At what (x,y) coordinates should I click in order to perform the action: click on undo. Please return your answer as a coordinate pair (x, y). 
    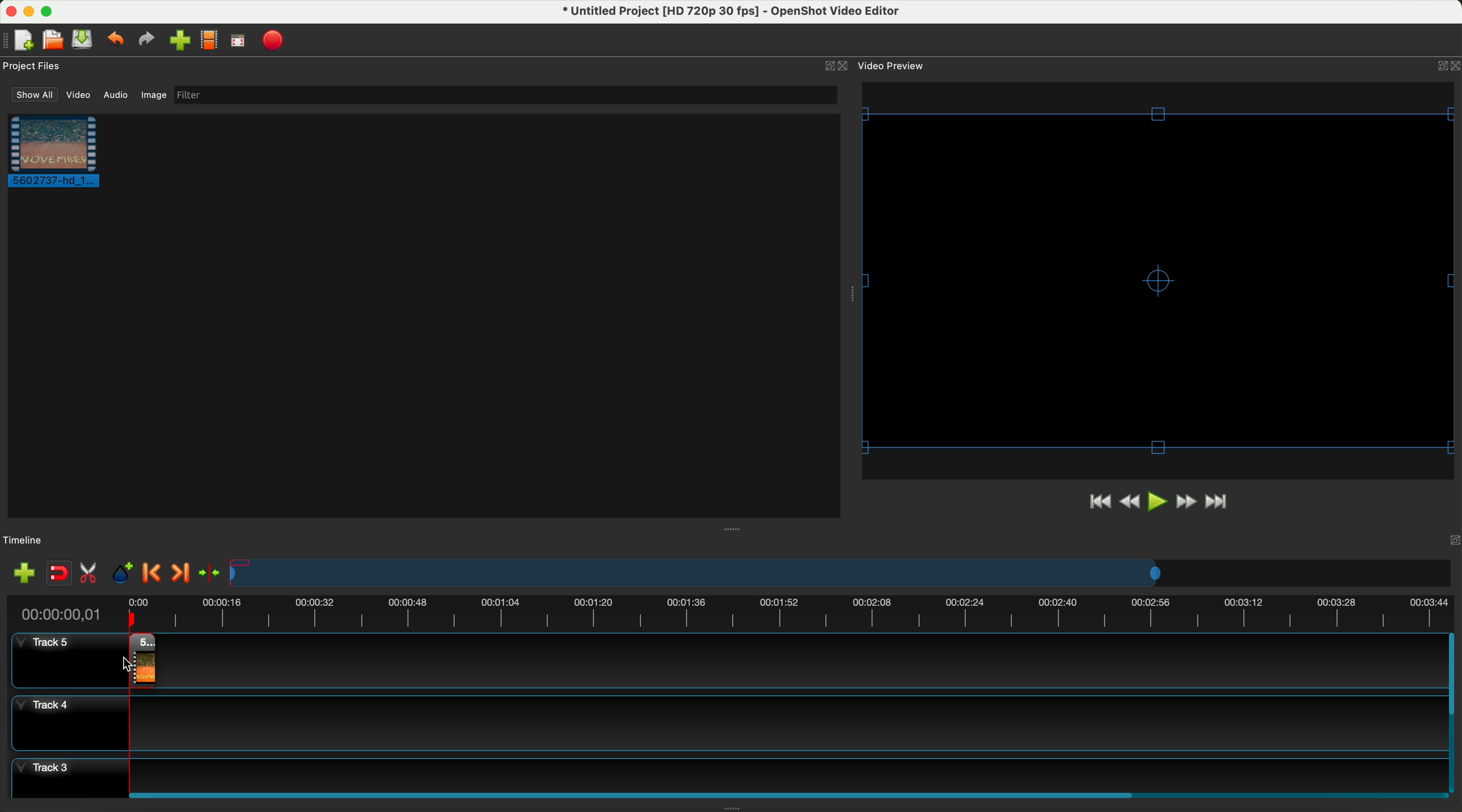
    Looking at the image, I should click on (116, 40).